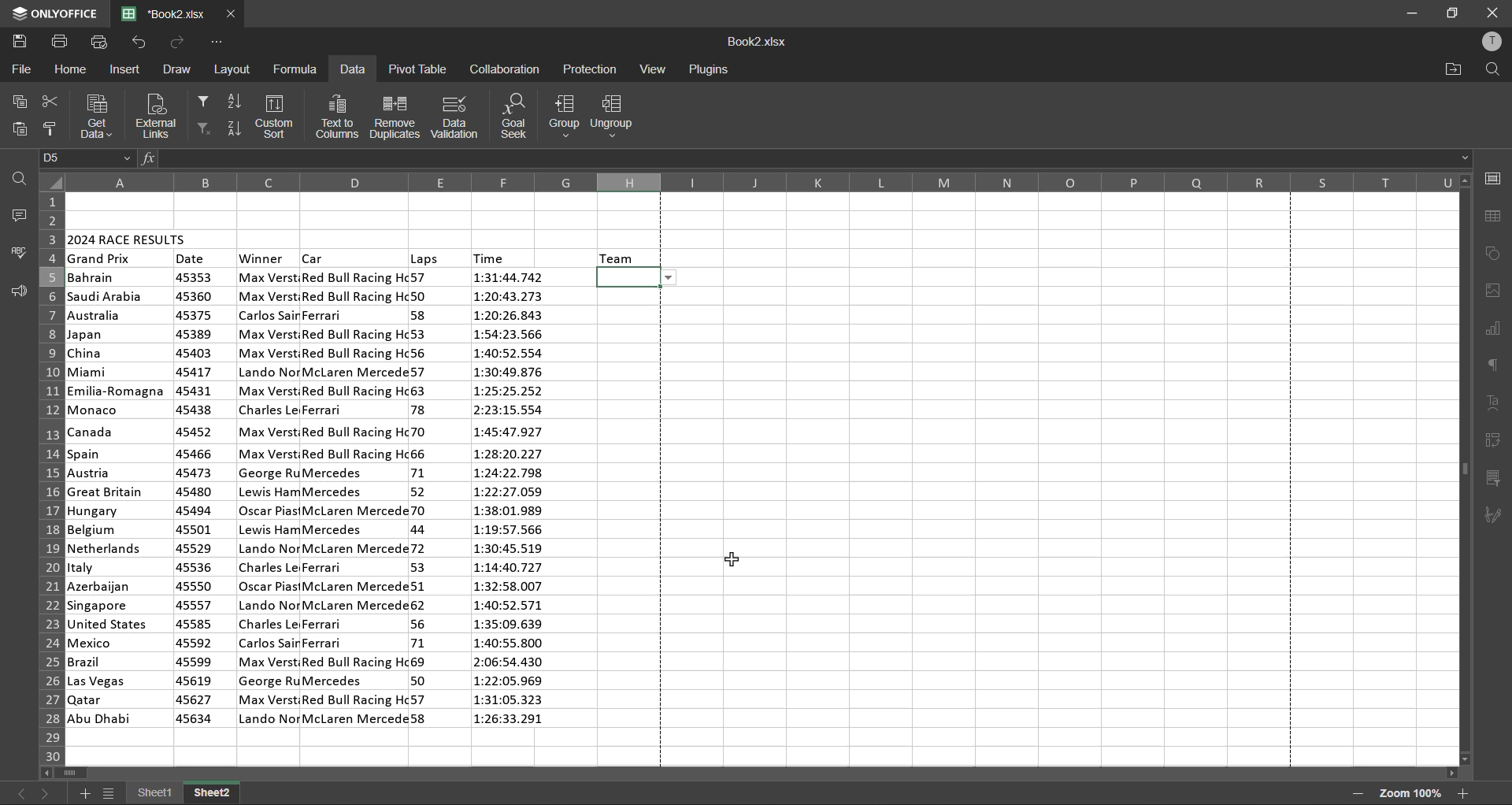 This screenshot has height=805, width=1512. Describe the element at coordinates (617, 117) in the screenshot. I see `ungroup` at that location.